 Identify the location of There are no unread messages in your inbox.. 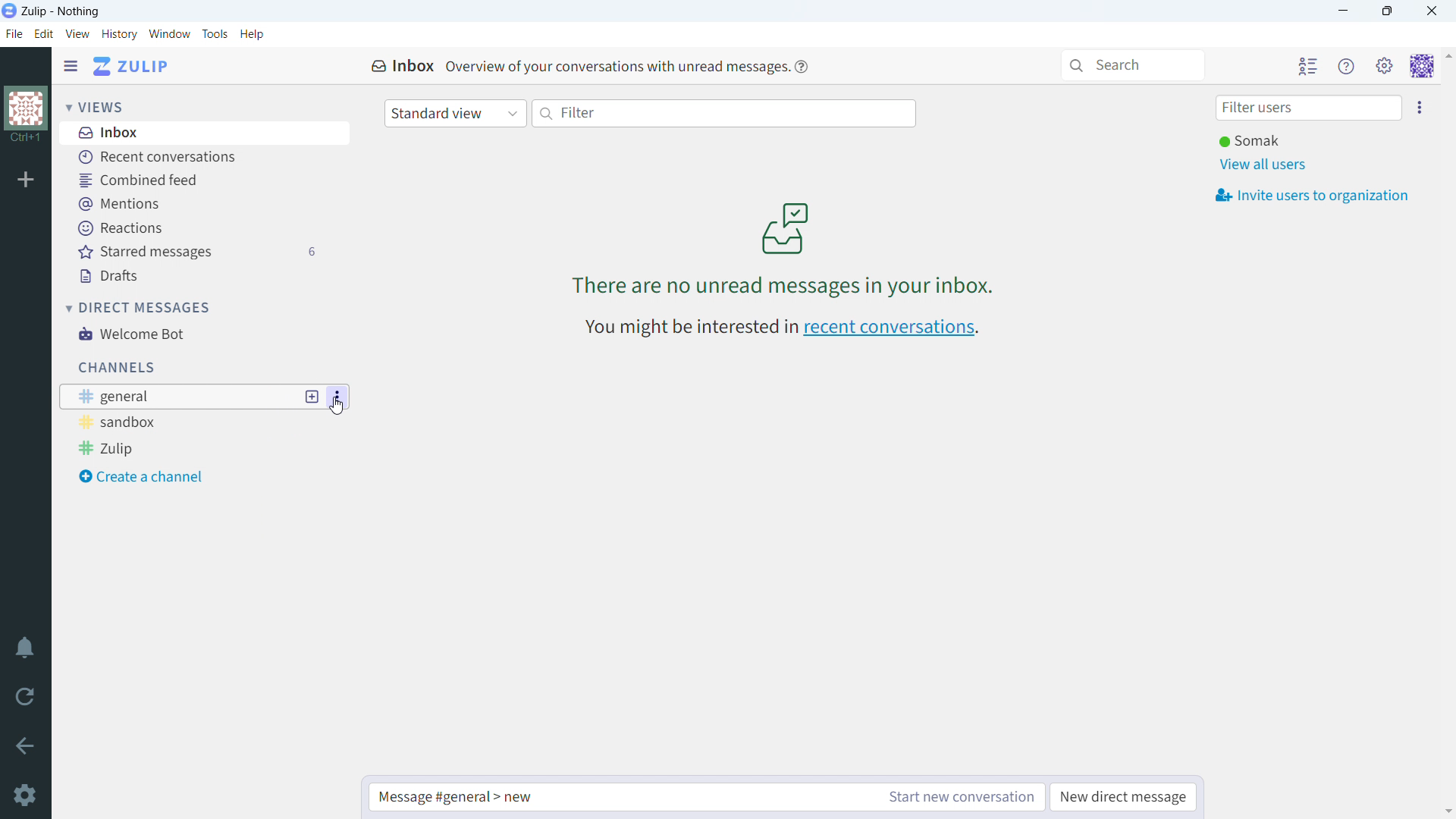
(783, 285).